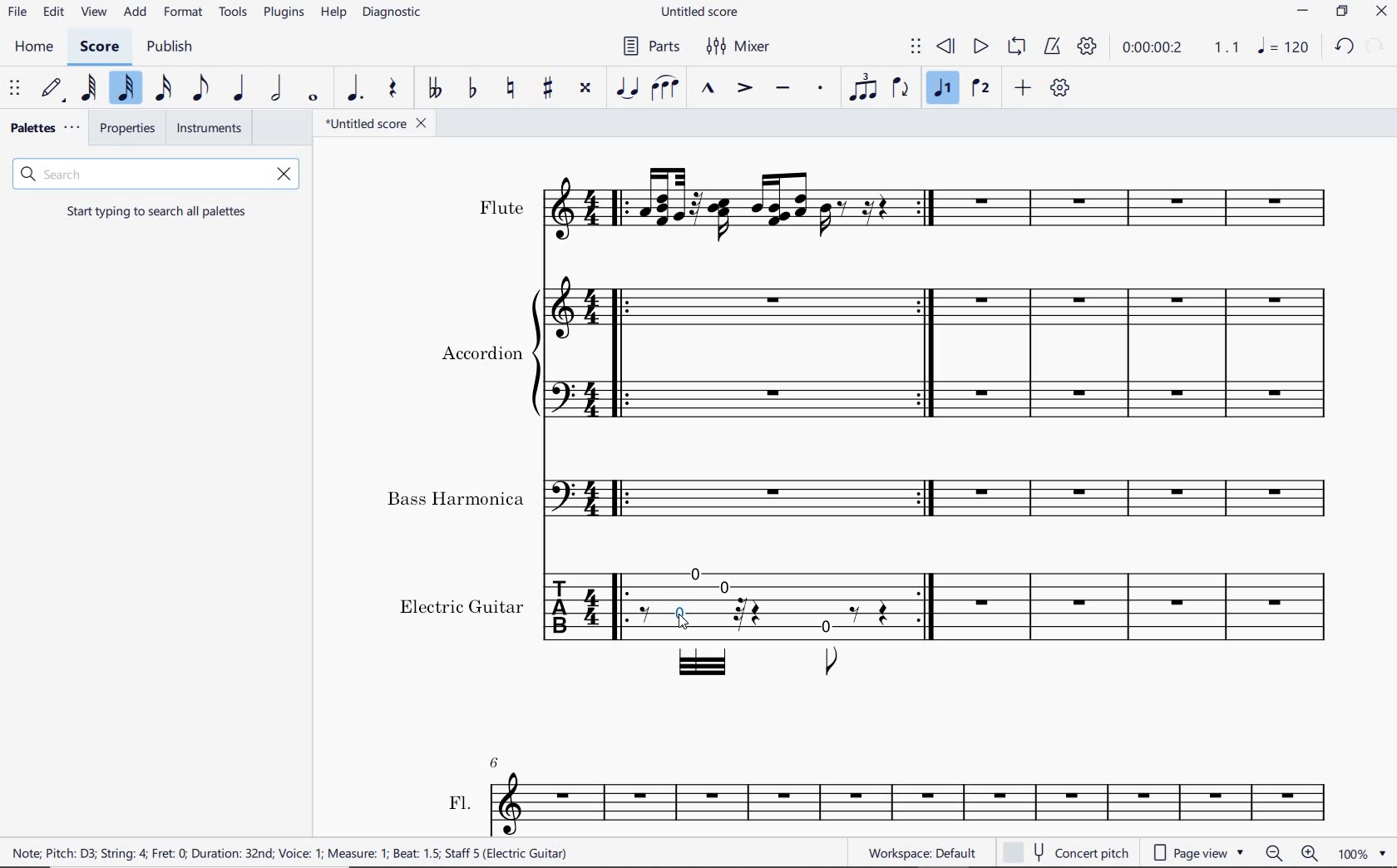  Describe the element at coordinates (511, 88) in the screenshot. I see `toggle natural` at that location.